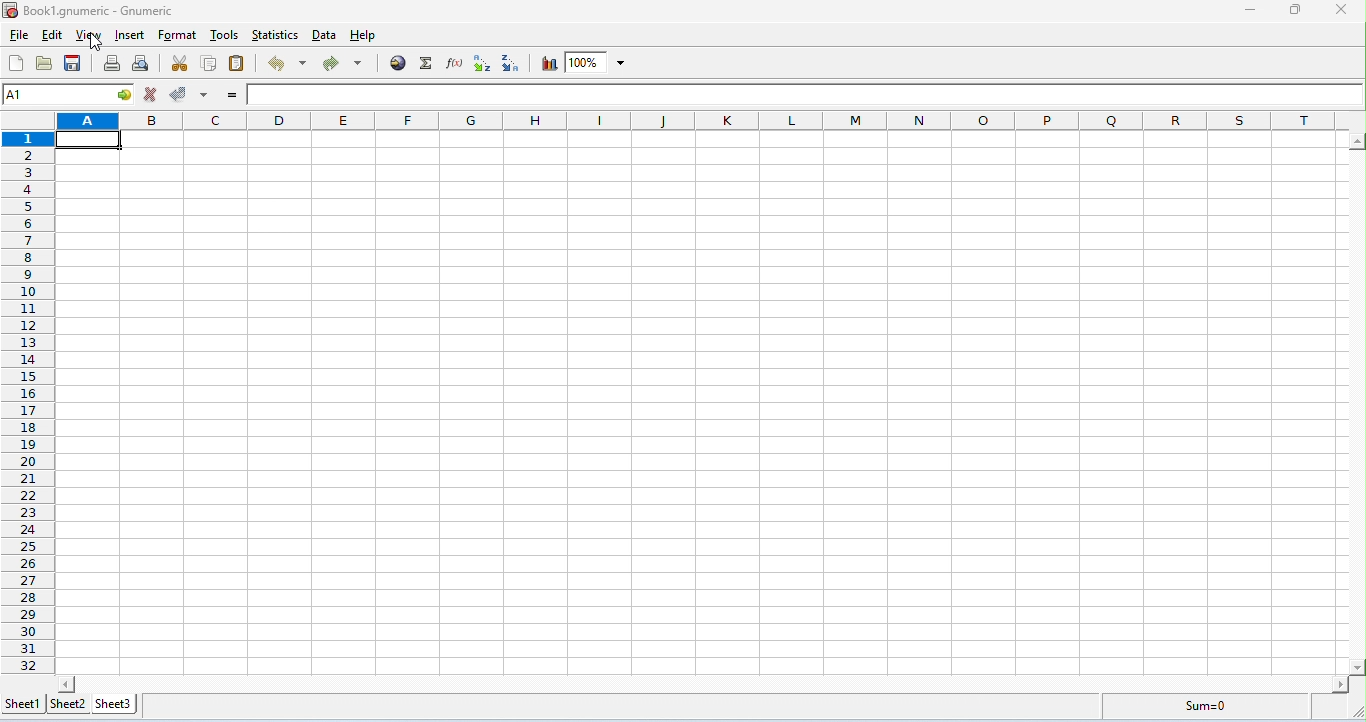 The height and width of the screenshot is (722, 1366). I want to click on column headings, so click(697, 121).